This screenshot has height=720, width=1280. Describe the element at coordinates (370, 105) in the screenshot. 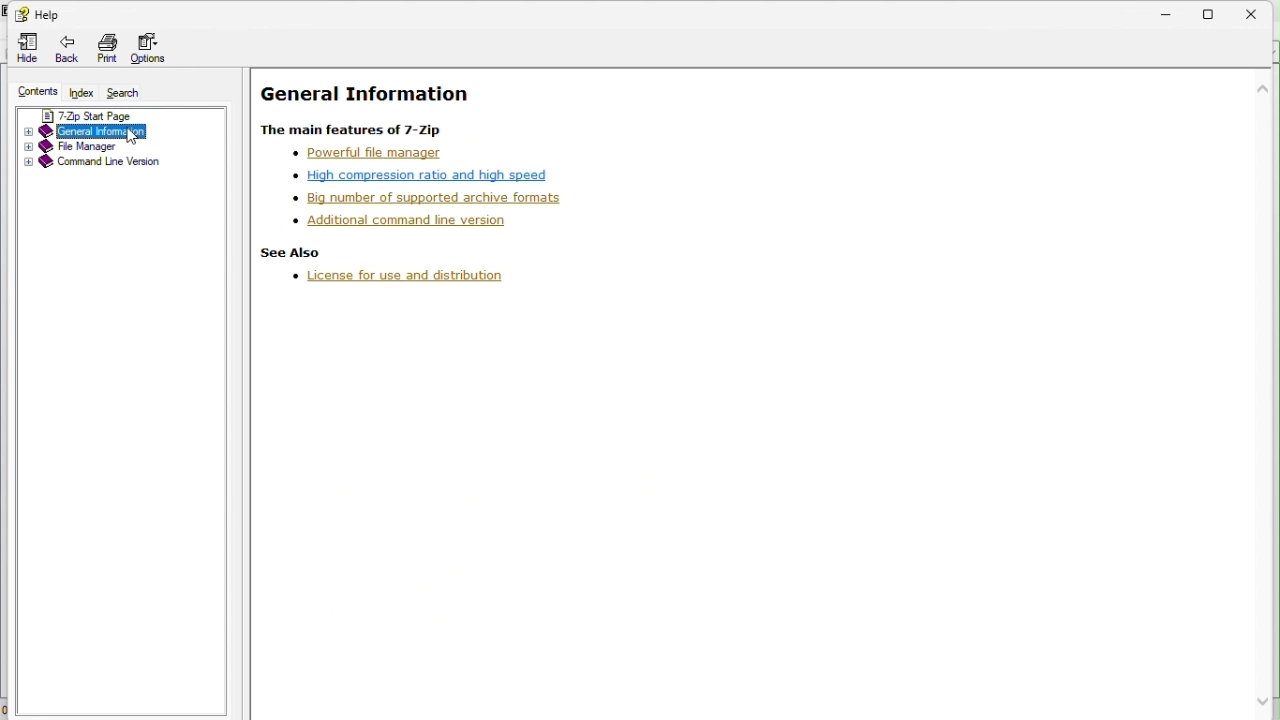

I see `general information Help page` at that location.